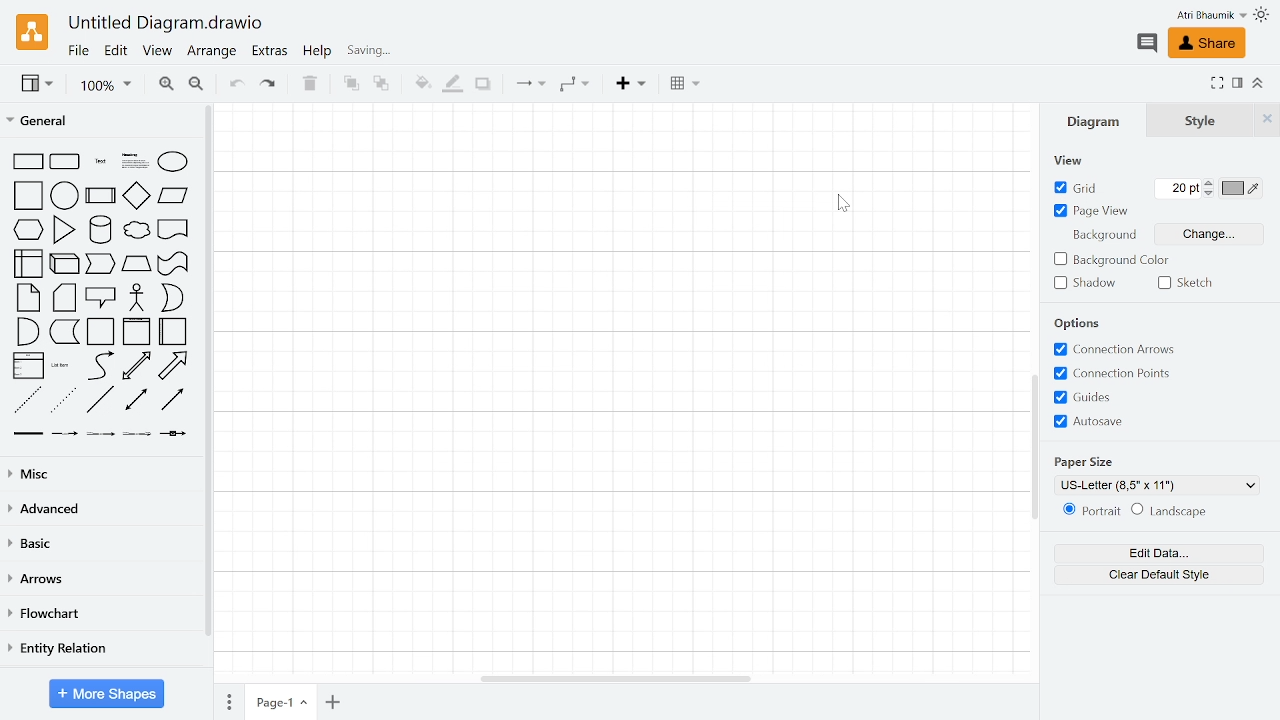 Image resolution: width=1280 pixels, height=720 pixels. I want to click on Delete, so click(311, 85).